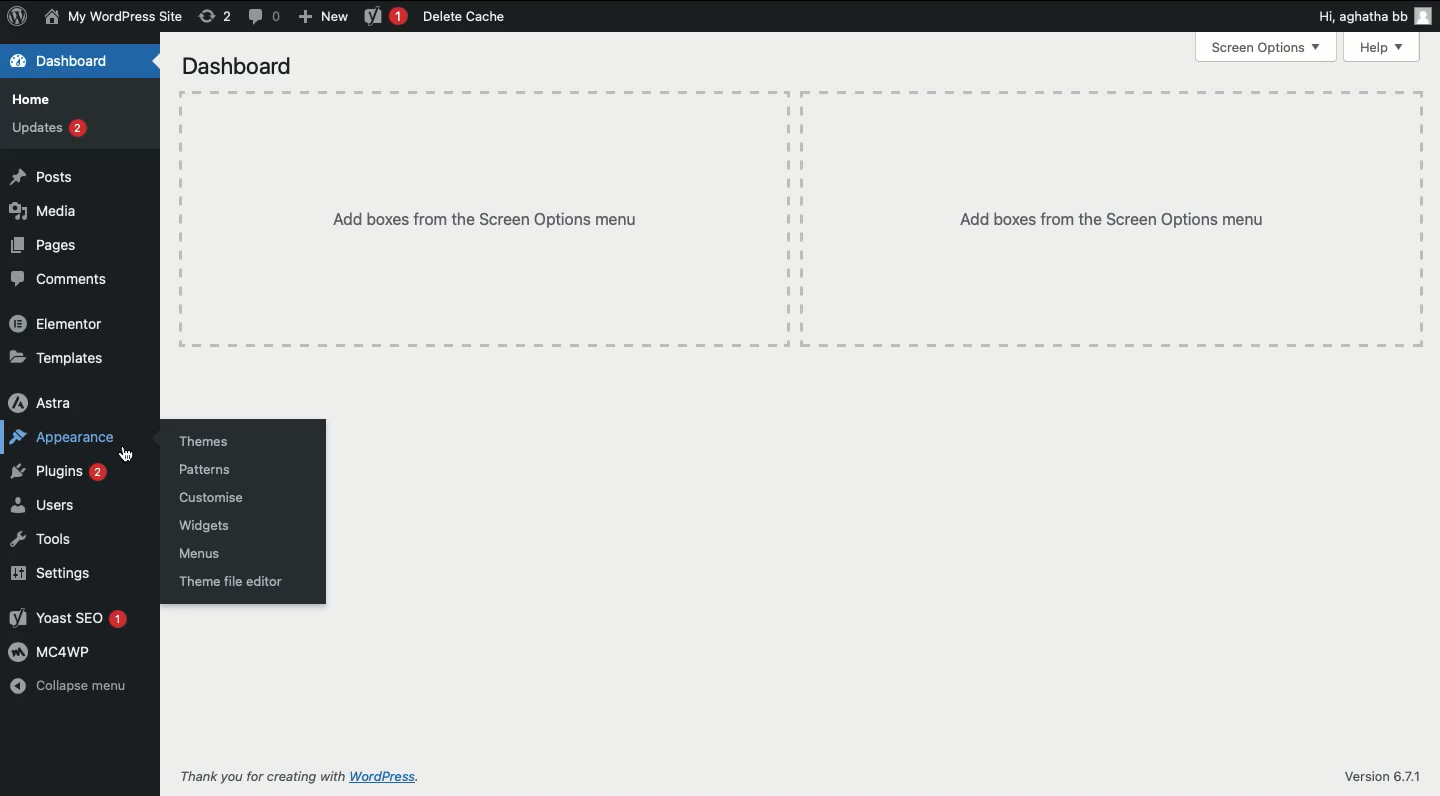  Describe the element at coordinates (125, 452) in the screenshot. I see `cursor` at that location.